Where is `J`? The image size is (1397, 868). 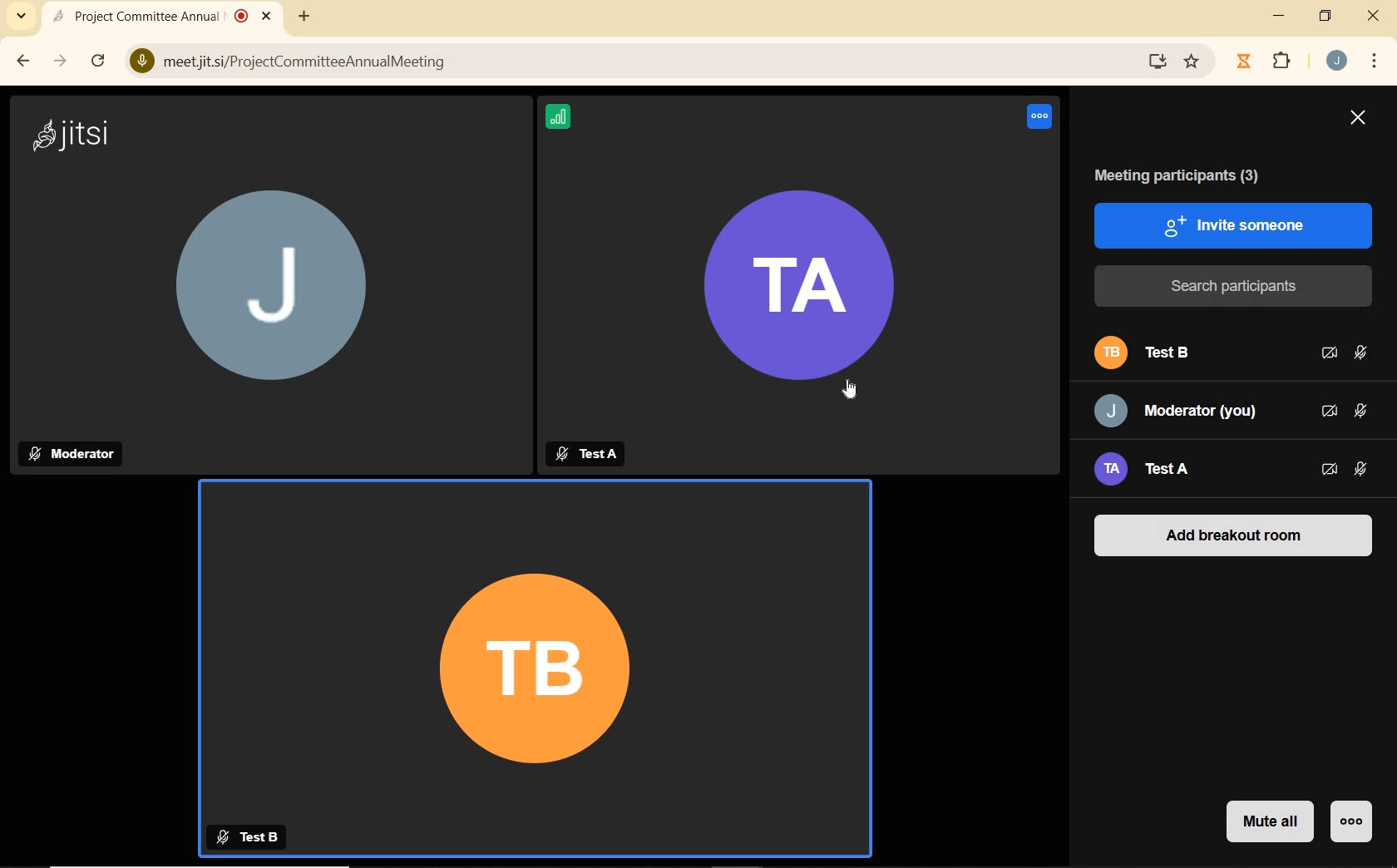
J is located at coordinates (284, 306).